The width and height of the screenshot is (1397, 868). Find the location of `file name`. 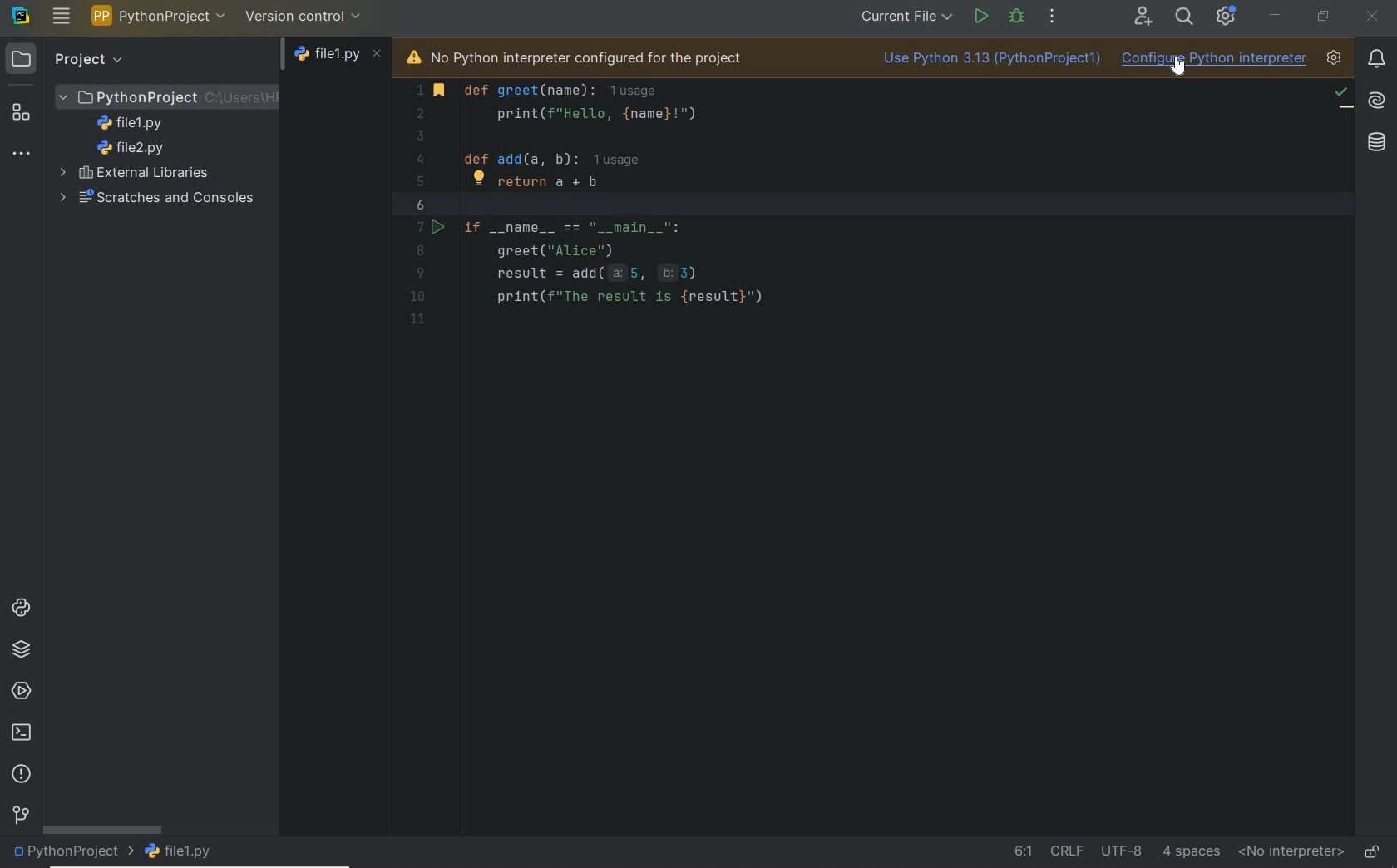

file name is located at coordinates (339, 58).